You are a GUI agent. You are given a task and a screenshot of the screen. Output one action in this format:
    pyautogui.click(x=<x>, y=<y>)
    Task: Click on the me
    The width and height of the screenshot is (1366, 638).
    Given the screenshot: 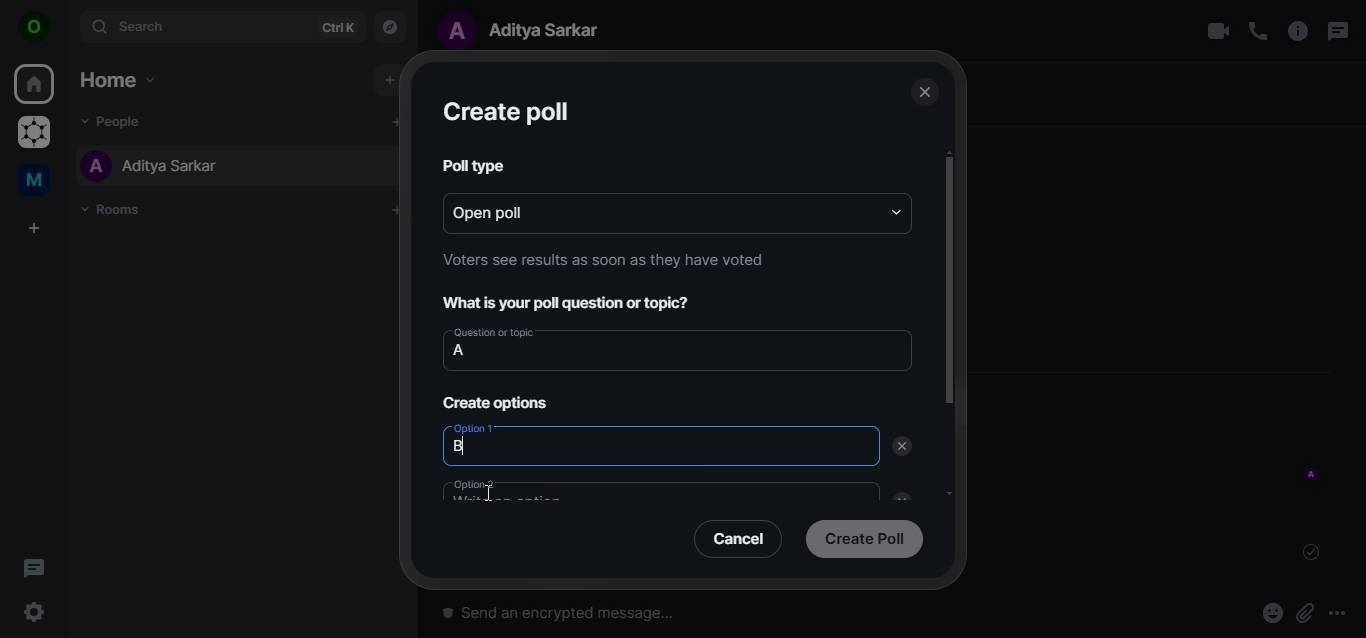 What is the action you would take?
    pyautogui.click(x=37, y=183)
    